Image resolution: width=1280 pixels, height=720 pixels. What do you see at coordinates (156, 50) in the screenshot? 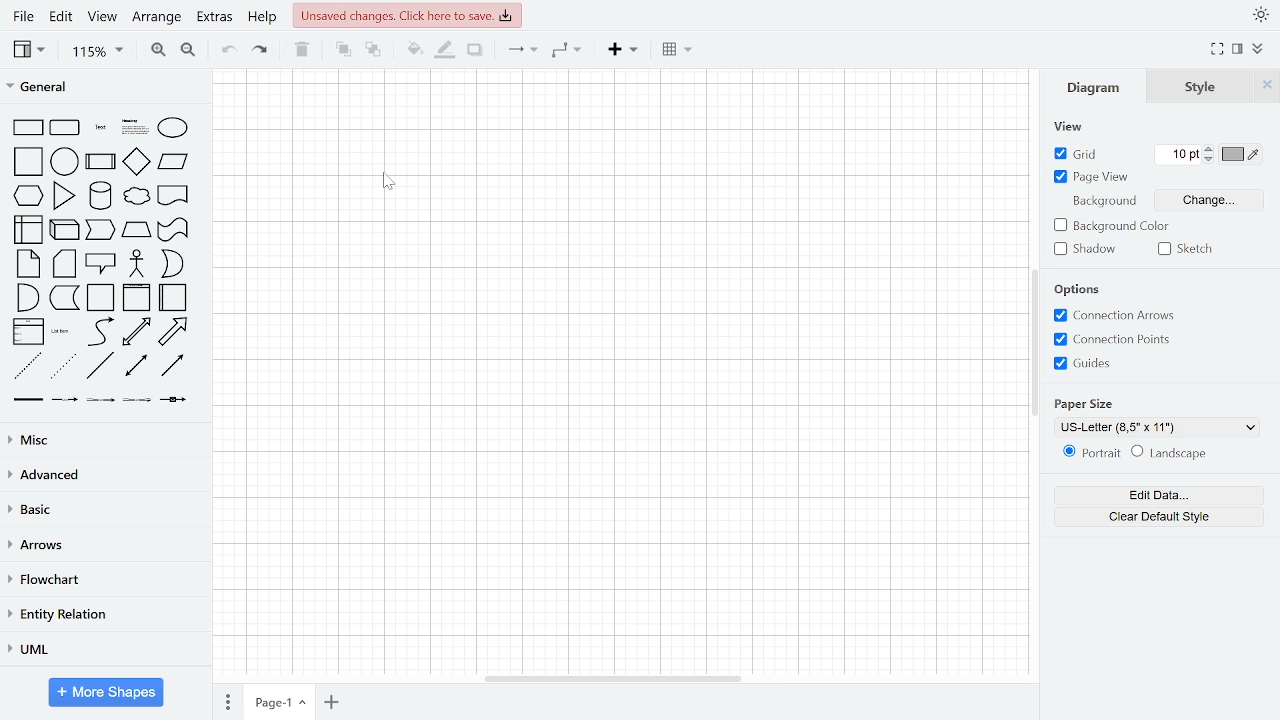
I see `zoom in` at bounding box center [156, 50].